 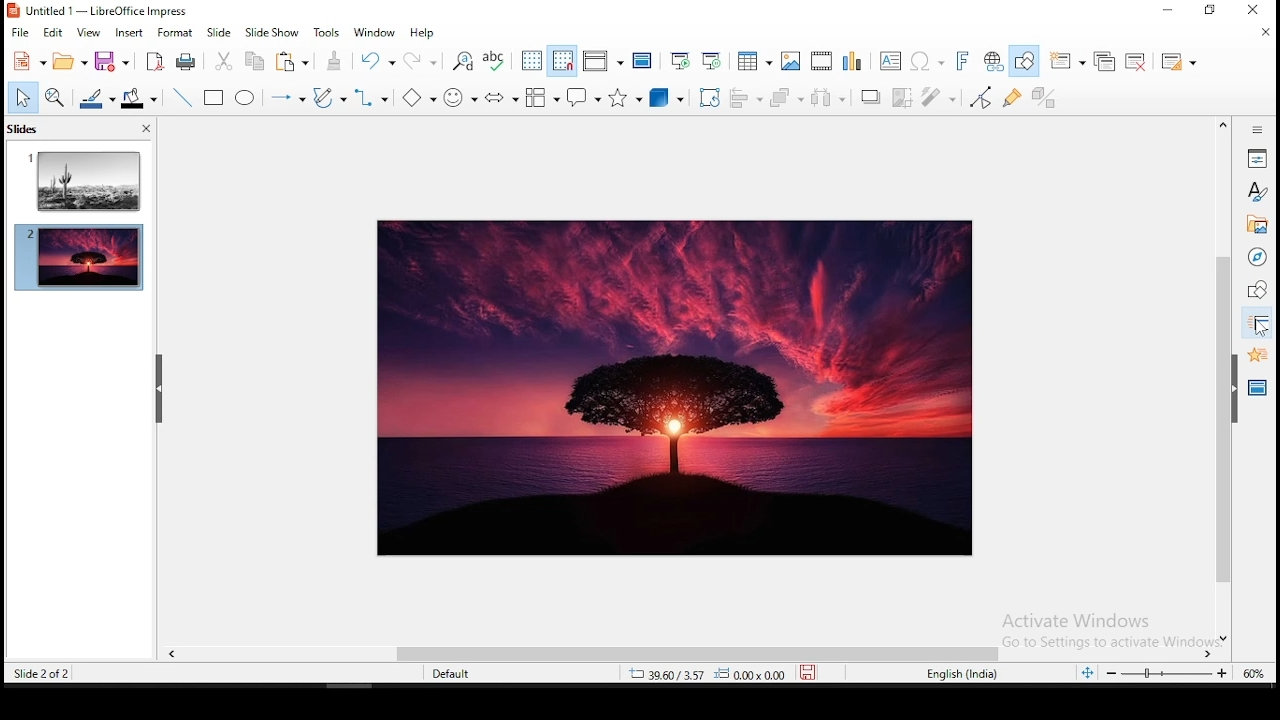 I want to click on images, so click(x=791, y=60).